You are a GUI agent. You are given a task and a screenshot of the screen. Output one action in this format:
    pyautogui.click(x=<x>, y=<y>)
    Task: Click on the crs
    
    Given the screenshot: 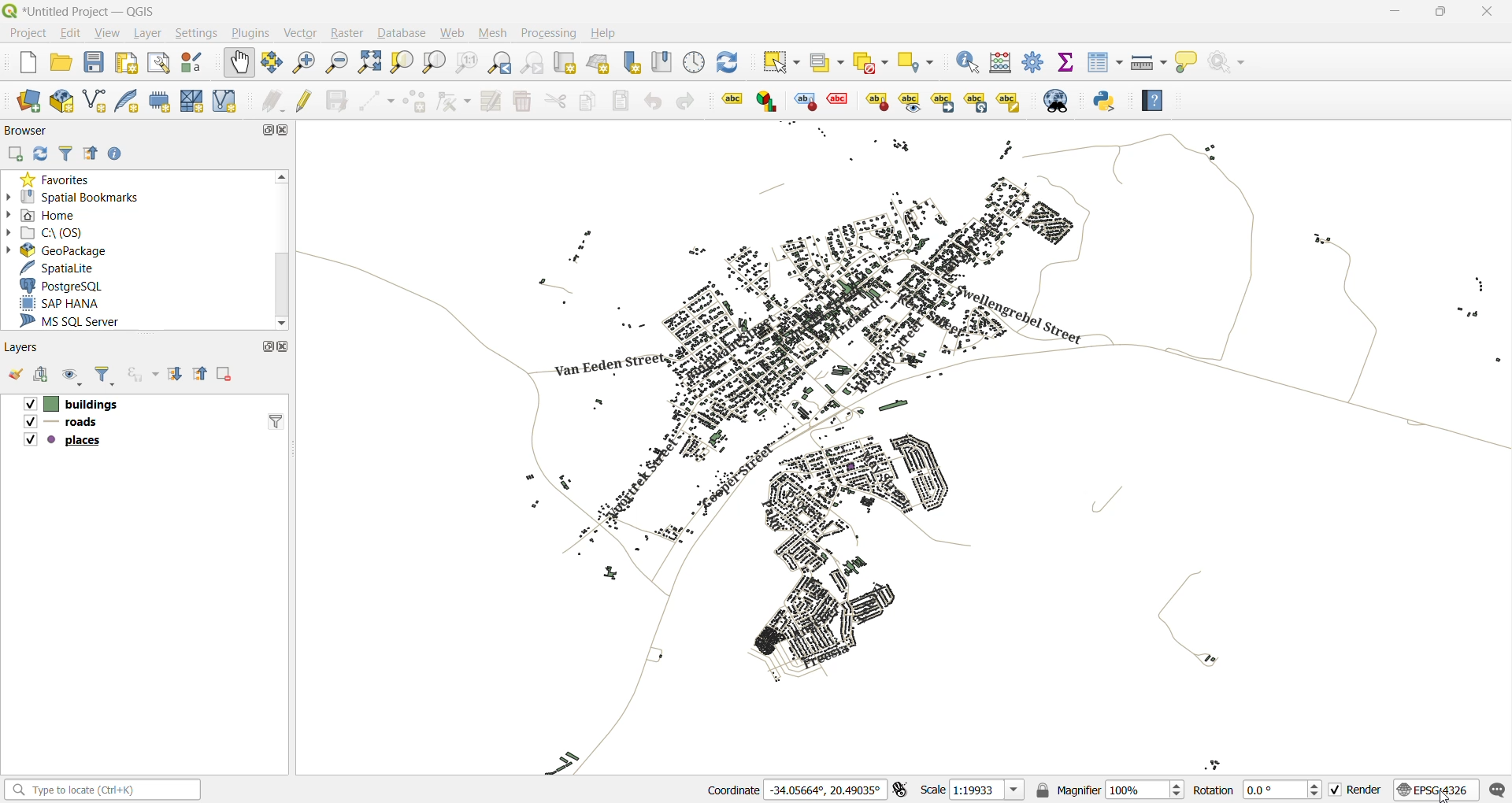 What is the action you would take?
    pyautogui.click(x=1436, y=790)
    